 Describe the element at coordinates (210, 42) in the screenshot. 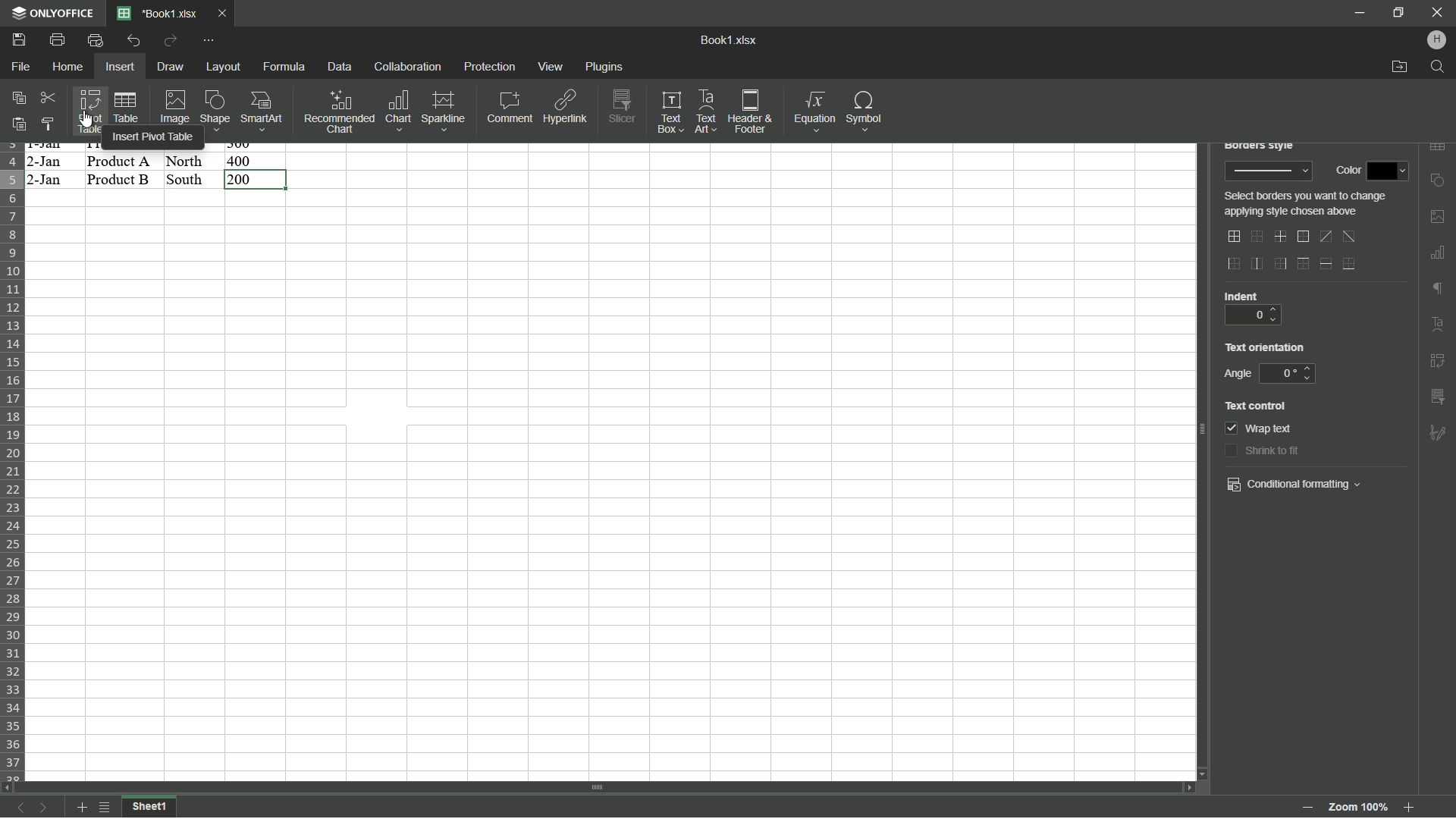

I see `customize quick access toolbar` at that location.